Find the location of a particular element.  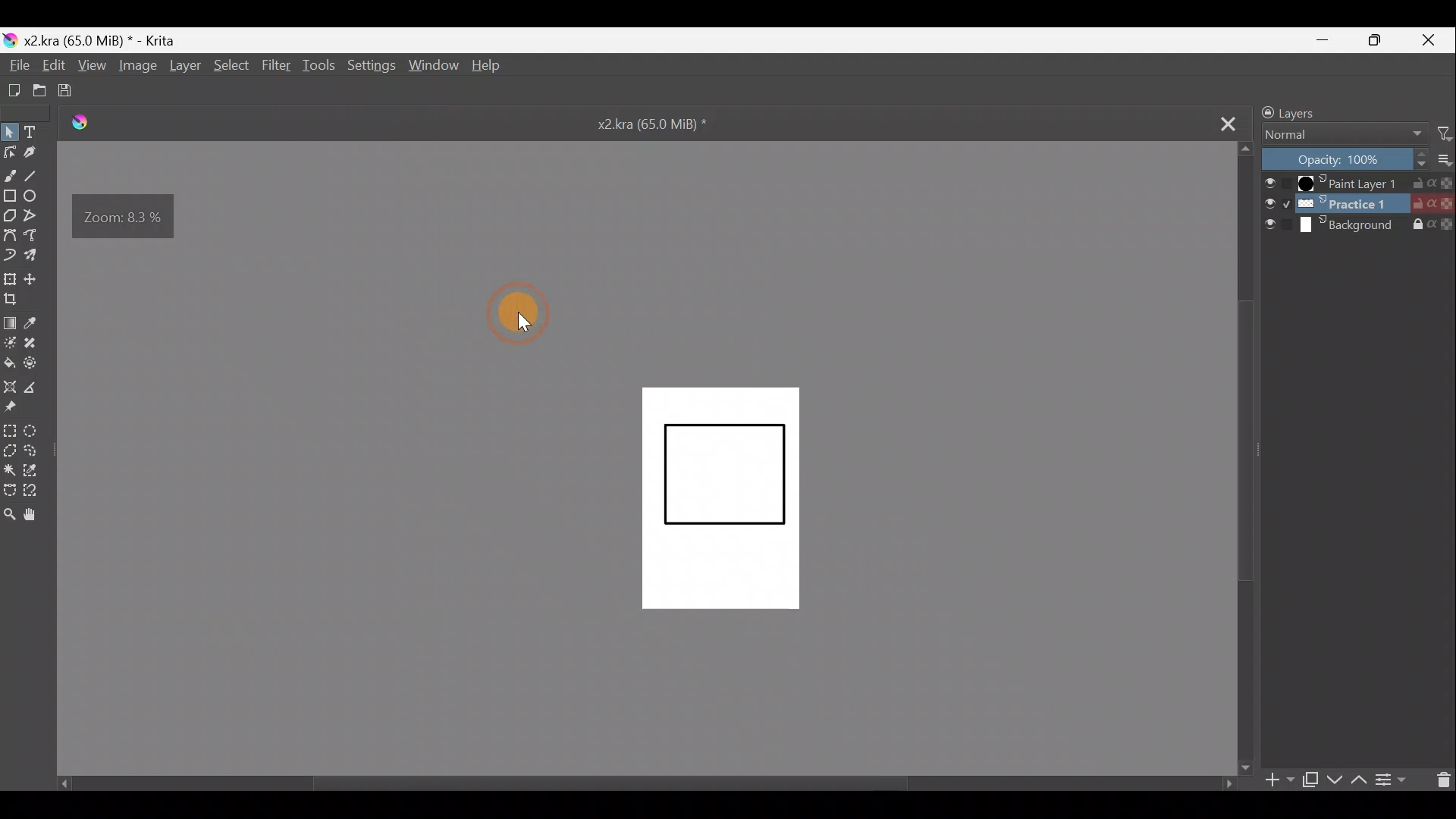

Enclose & fill tool is located at coordinates (39, 363).